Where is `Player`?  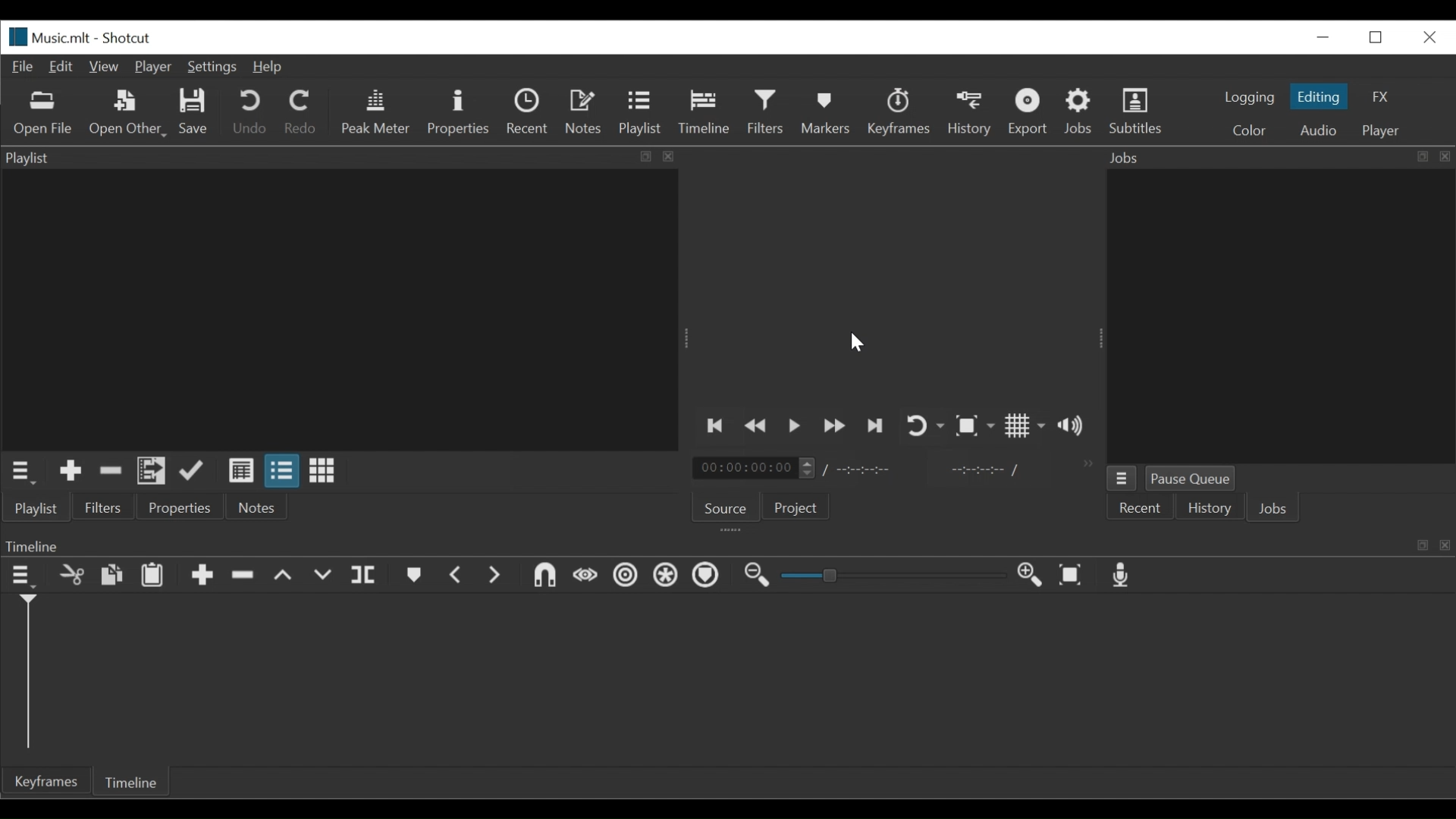 Player is located at coordinates (153, 67).